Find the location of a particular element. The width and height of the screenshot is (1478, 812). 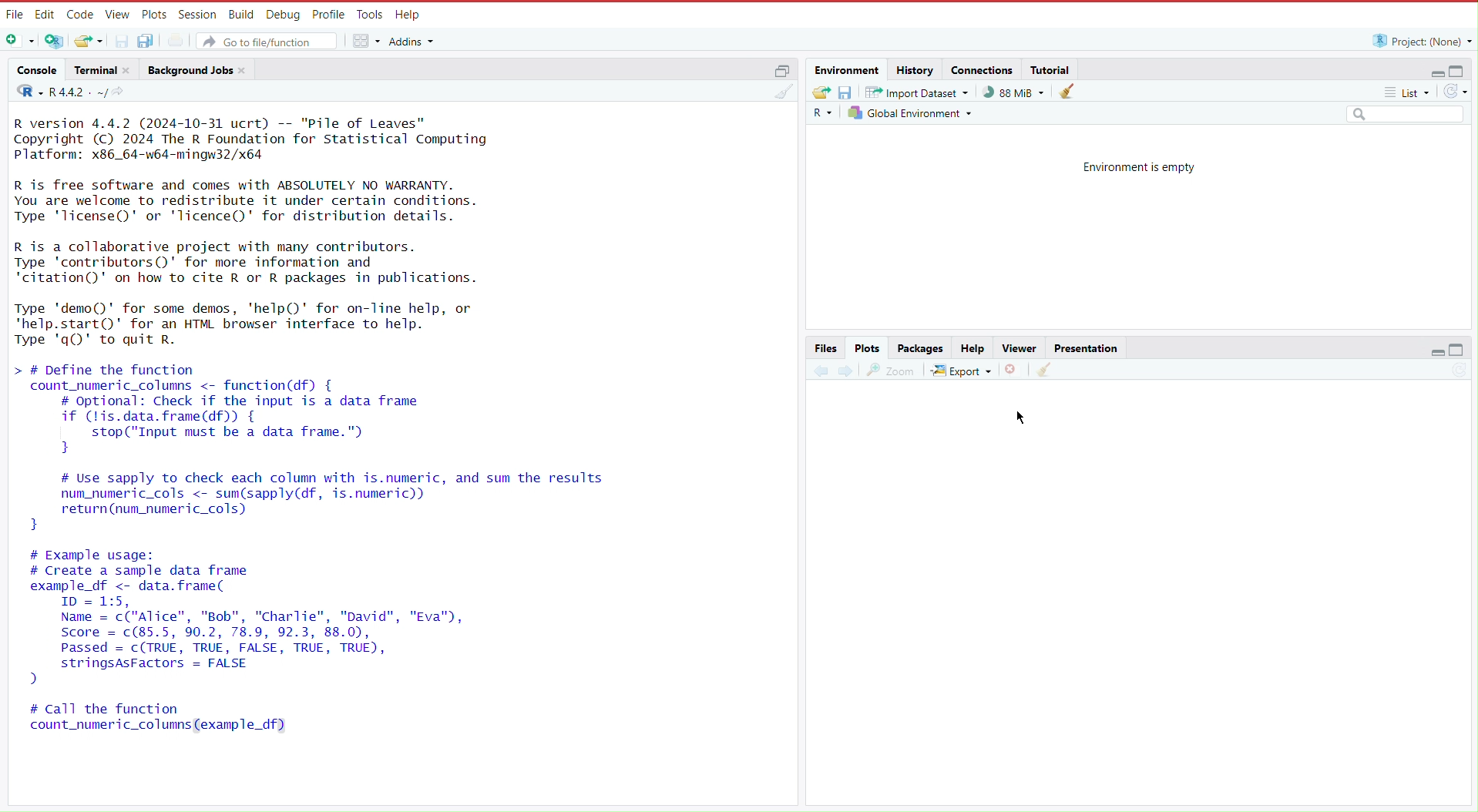

History is located at coordinates (915, 69).